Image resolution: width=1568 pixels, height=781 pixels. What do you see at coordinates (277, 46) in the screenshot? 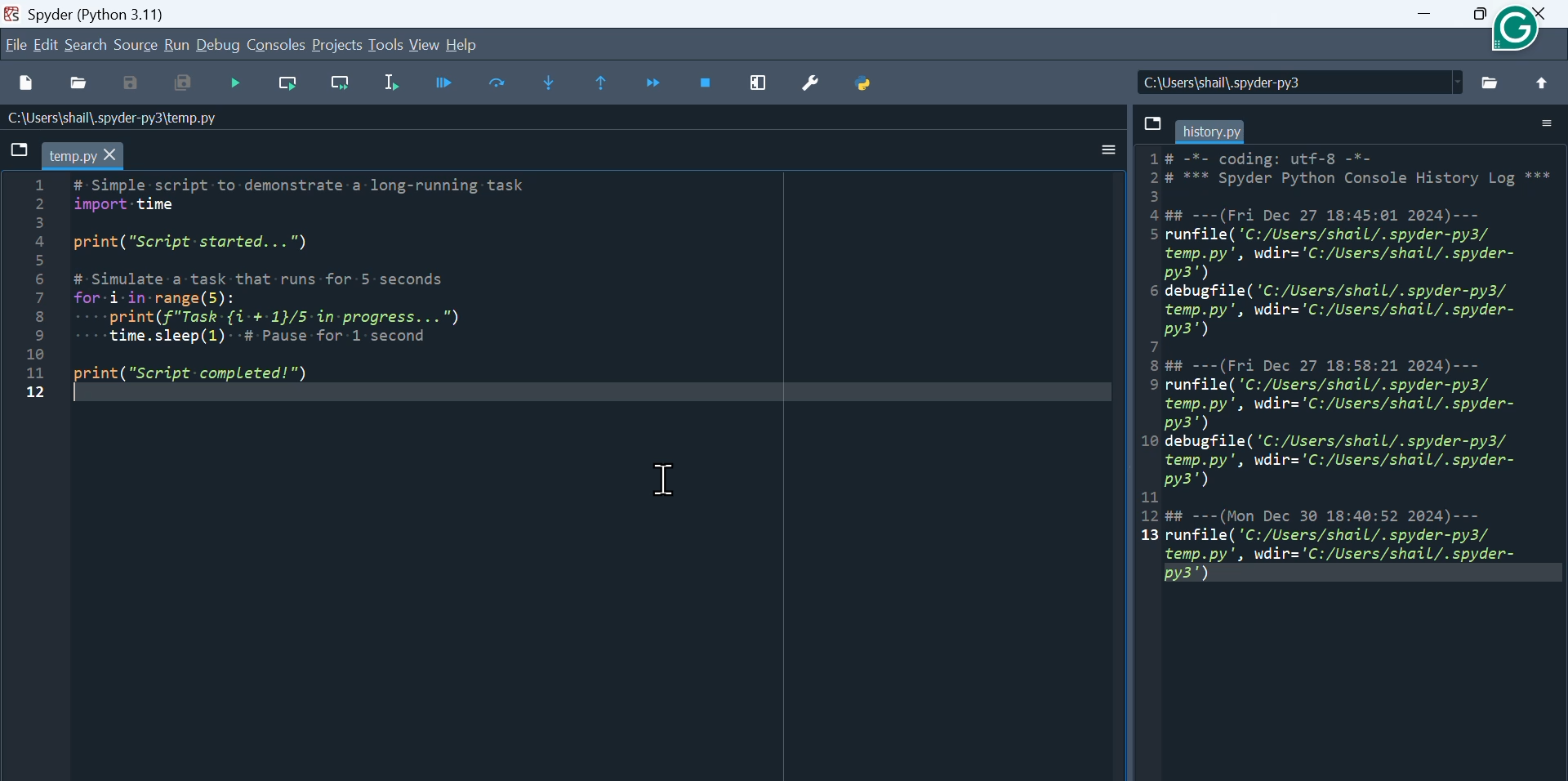
I see `Console` at bounding box center [277, 46].